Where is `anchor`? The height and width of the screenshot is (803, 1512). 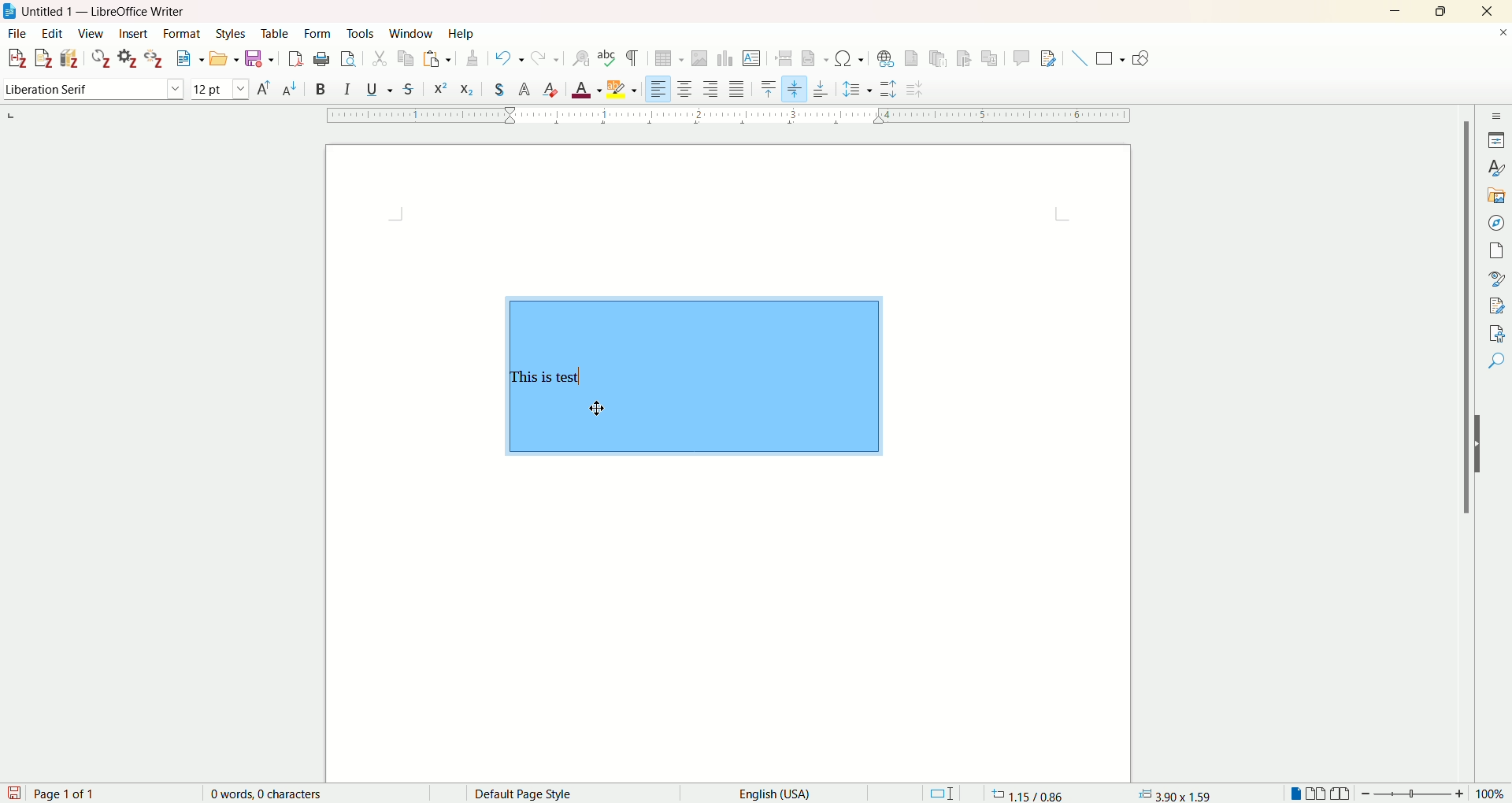
anchor is located at coordinates (20, 89).